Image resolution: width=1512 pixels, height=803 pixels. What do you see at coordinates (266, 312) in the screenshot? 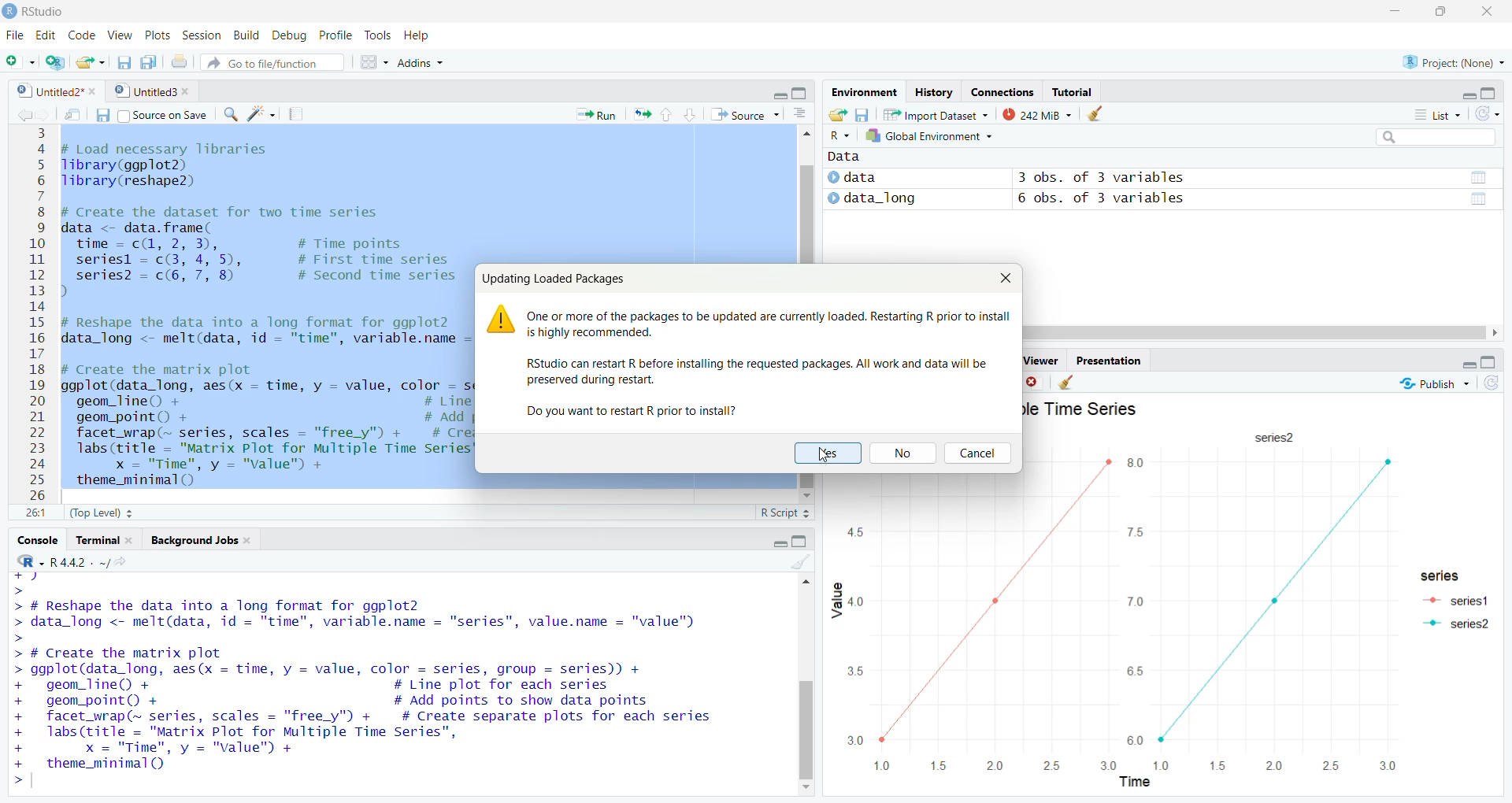
I see `# Load necessary libraries
Tibrary(ggplot2)
Tibrary(reshape2)
# Create the dataset for two time series
data <- data.frame(
Tlie = Gl, 2; I # Time points
seriesl = c(3, 4, 5), # First time series
series? = c(6, 7, 8) # Second time series
)
# Reshape the data into a long format for ggplot2
data_long <- melt(data, id = "time", variable.name = "series", value.name = "value")
# Create the matrix plot
ggplot(data_long, aes(x - time, y — value, color — series, group — series)) +
geom_line() + # Line plot for each series
geom_point() + # Add points to show data points
facet_wrap(~ series, scales = "free_y") + # Create separate plots for each series
labs (title = "Matrix Plot for Multiple Time Series",
x = "Time", y = "value" +
theme minimal ()` at bounding box center [266, 312].